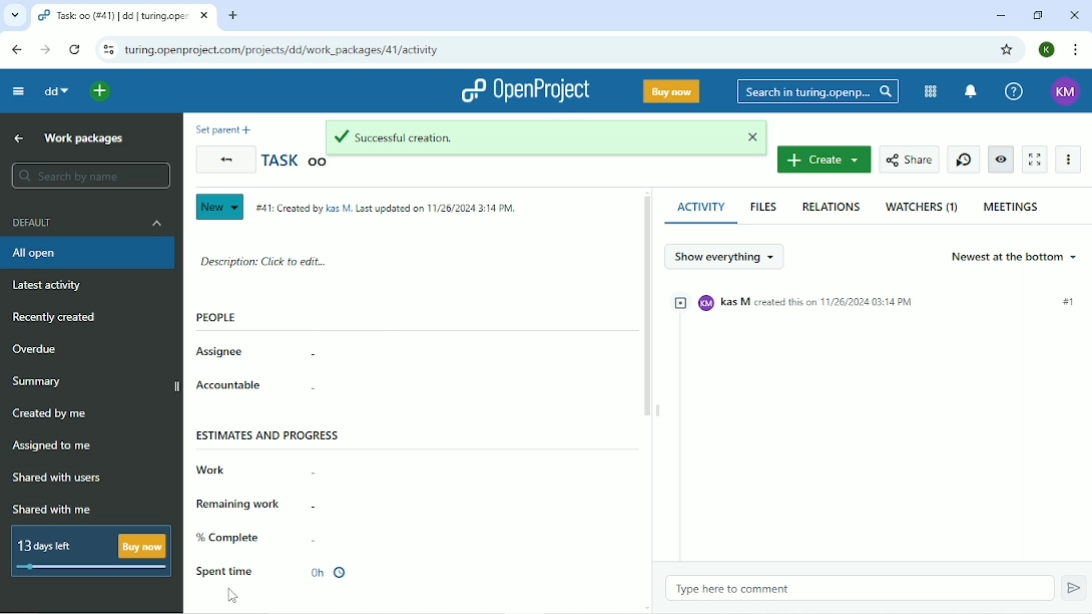  Describe the element at coordinates (89, 176) in the screenshot. I see `search by name` at that location.